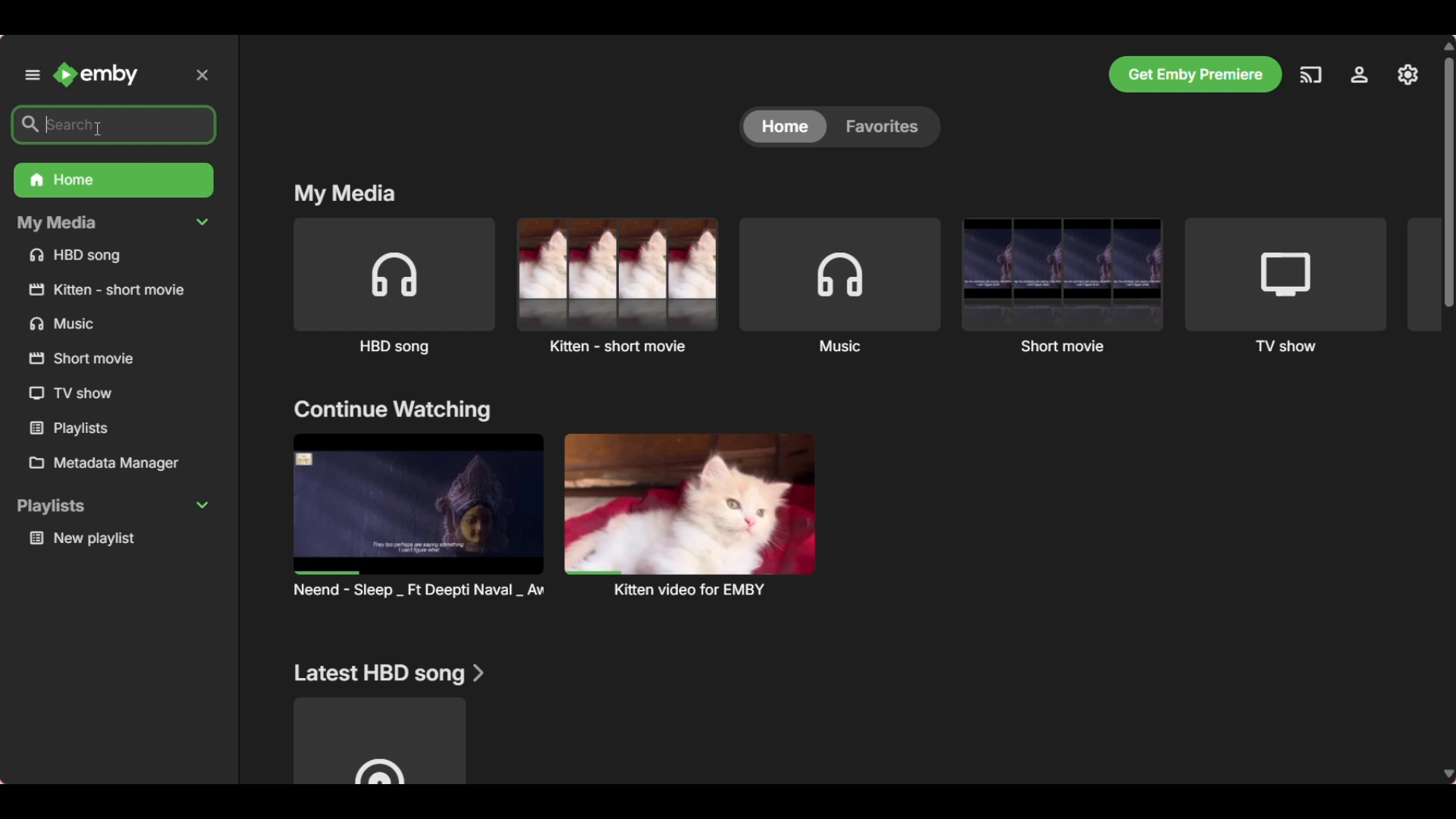  I want to click on Go to home, so click(96, 74).